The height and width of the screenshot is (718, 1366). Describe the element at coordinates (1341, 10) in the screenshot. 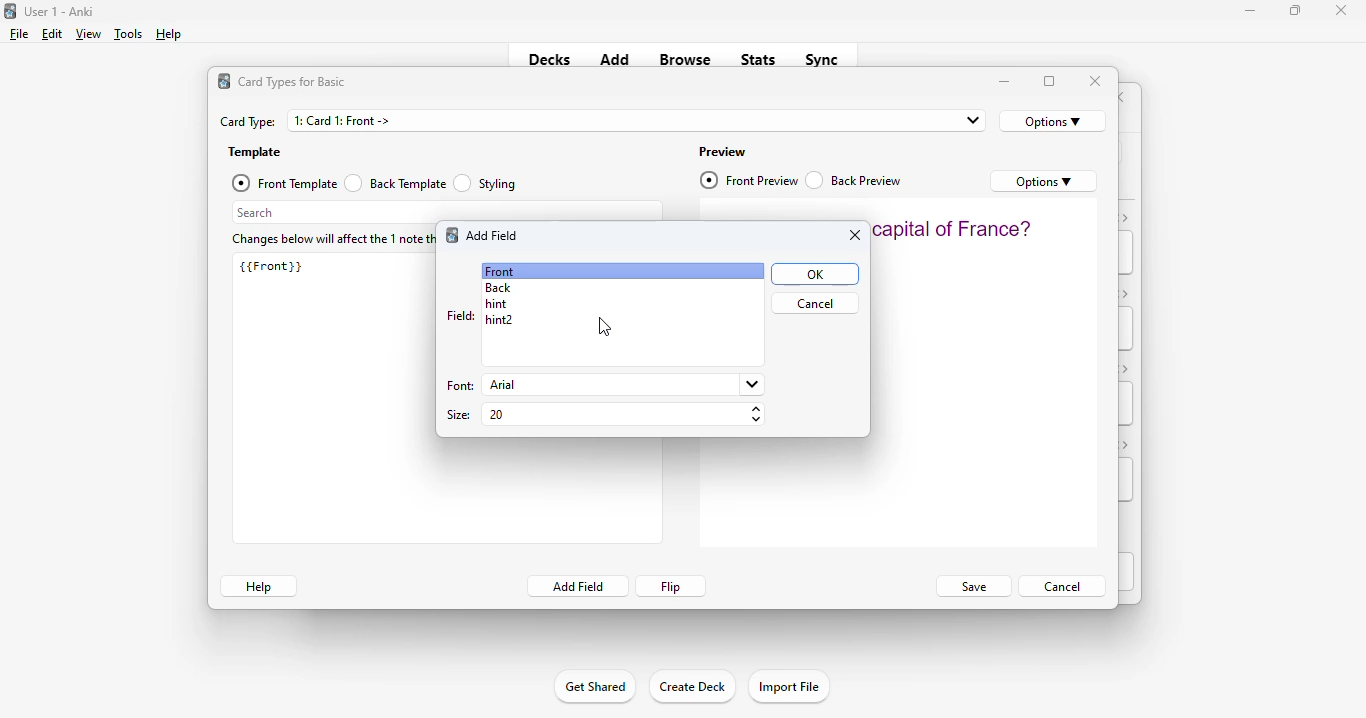

I see `close` at that location.